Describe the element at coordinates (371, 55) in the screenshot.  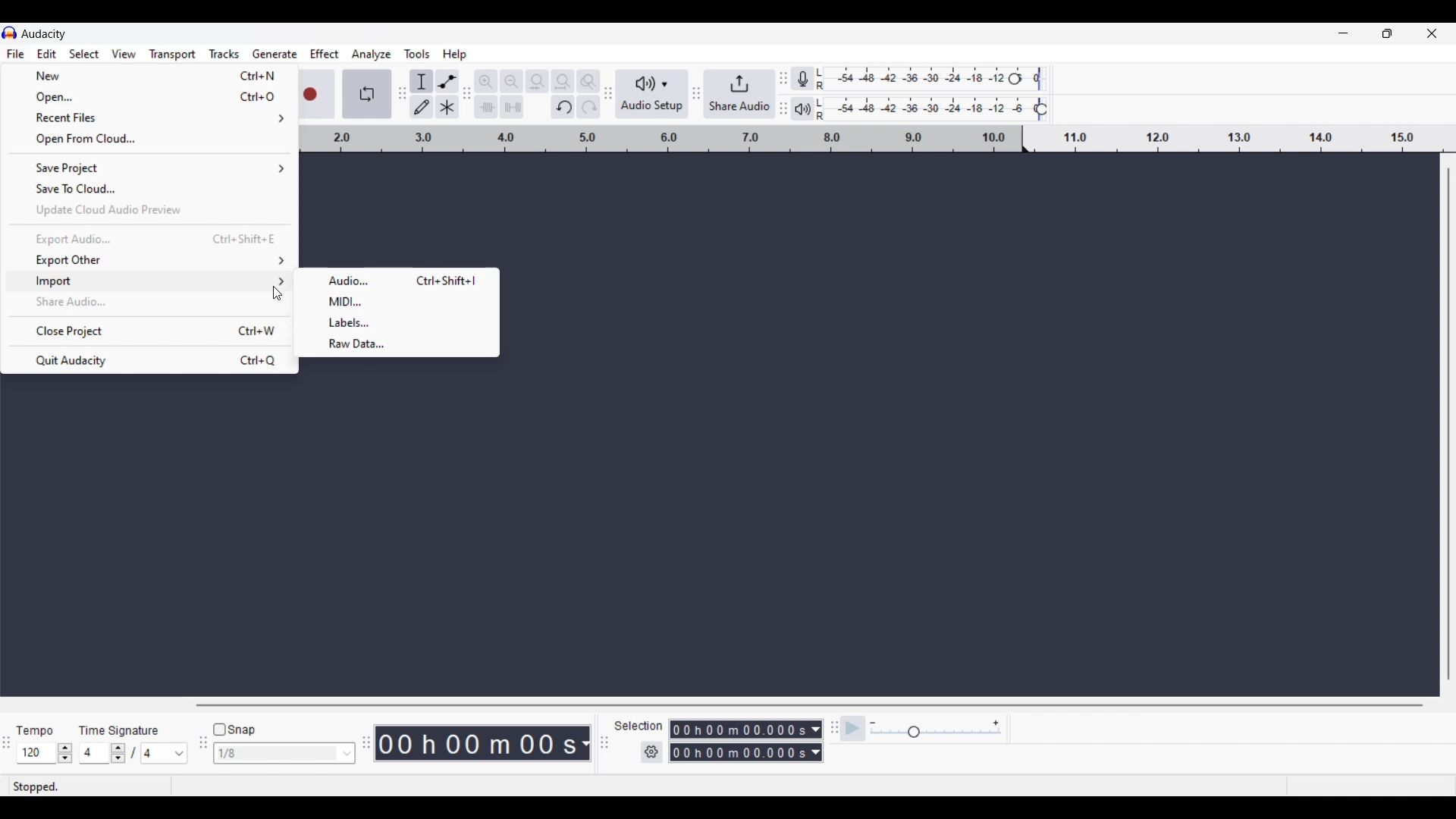
I see `Analyze menu` at that location.